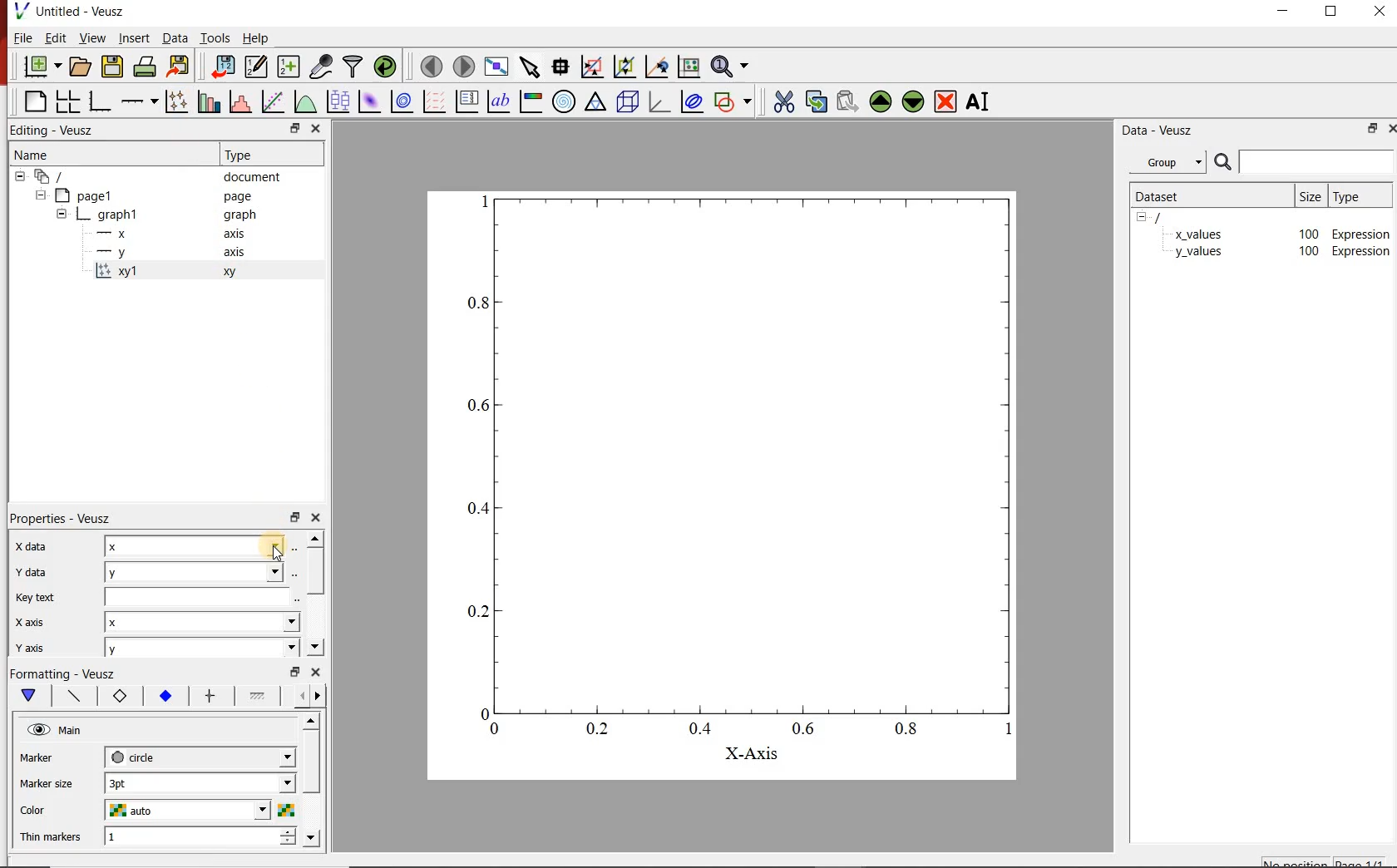  I want to click on hide, so click(1147, 218).